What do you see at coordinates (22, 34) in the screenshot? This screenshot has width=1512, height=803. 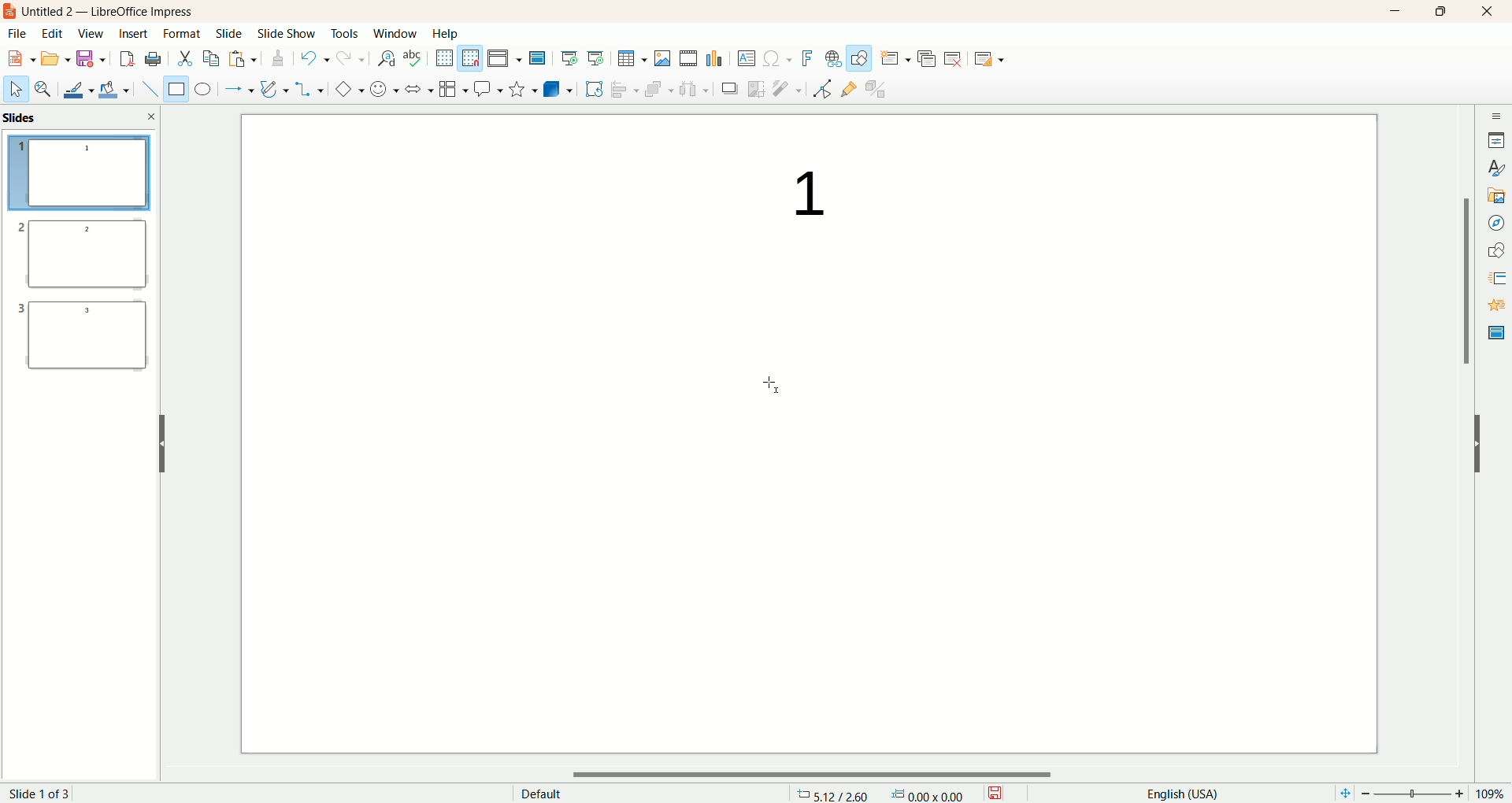 I see `file` at bounding box center [22, 34].